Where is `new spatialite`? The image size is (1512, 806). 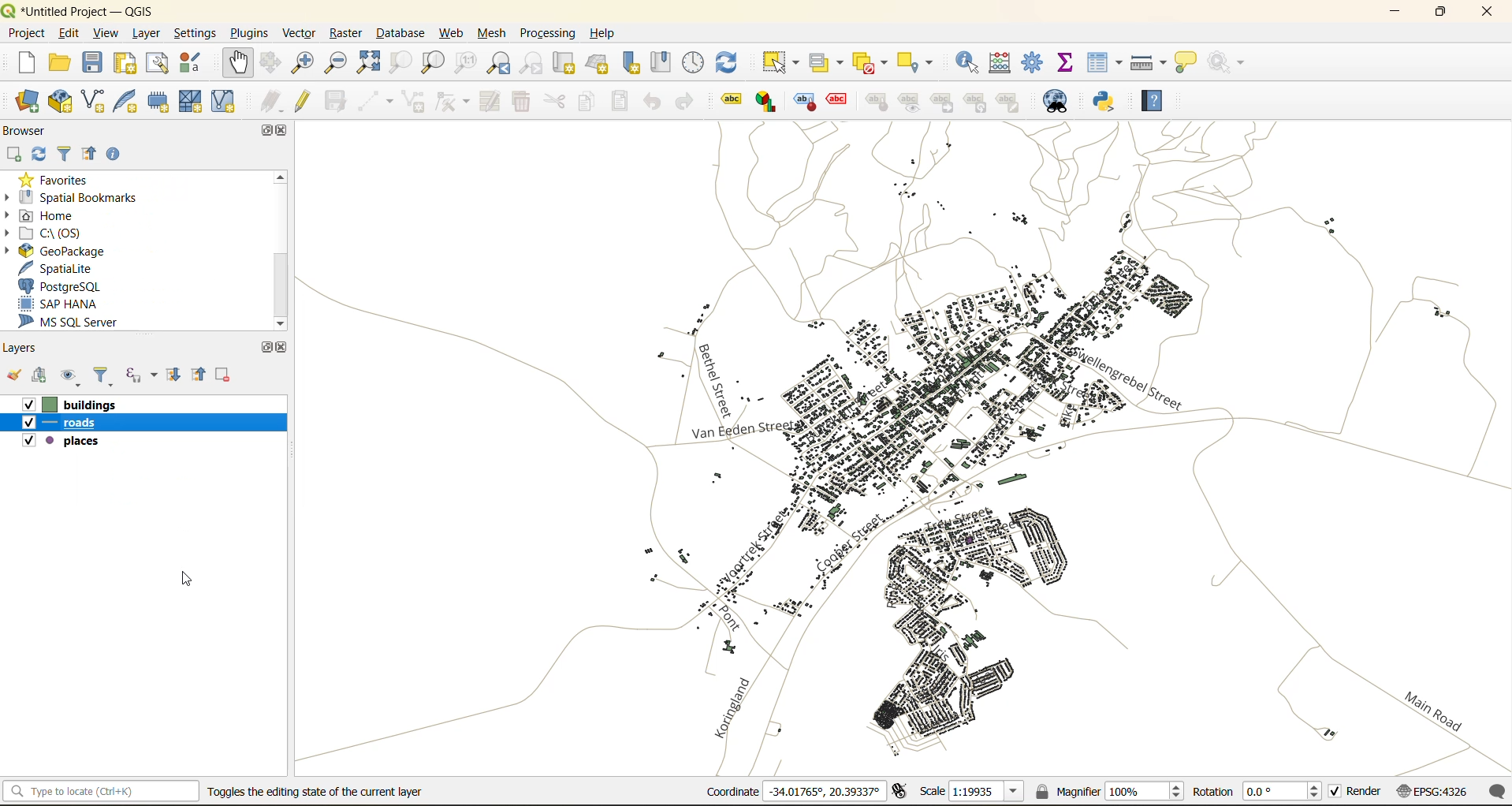
new spatialite is located at coordinates (127, 103).